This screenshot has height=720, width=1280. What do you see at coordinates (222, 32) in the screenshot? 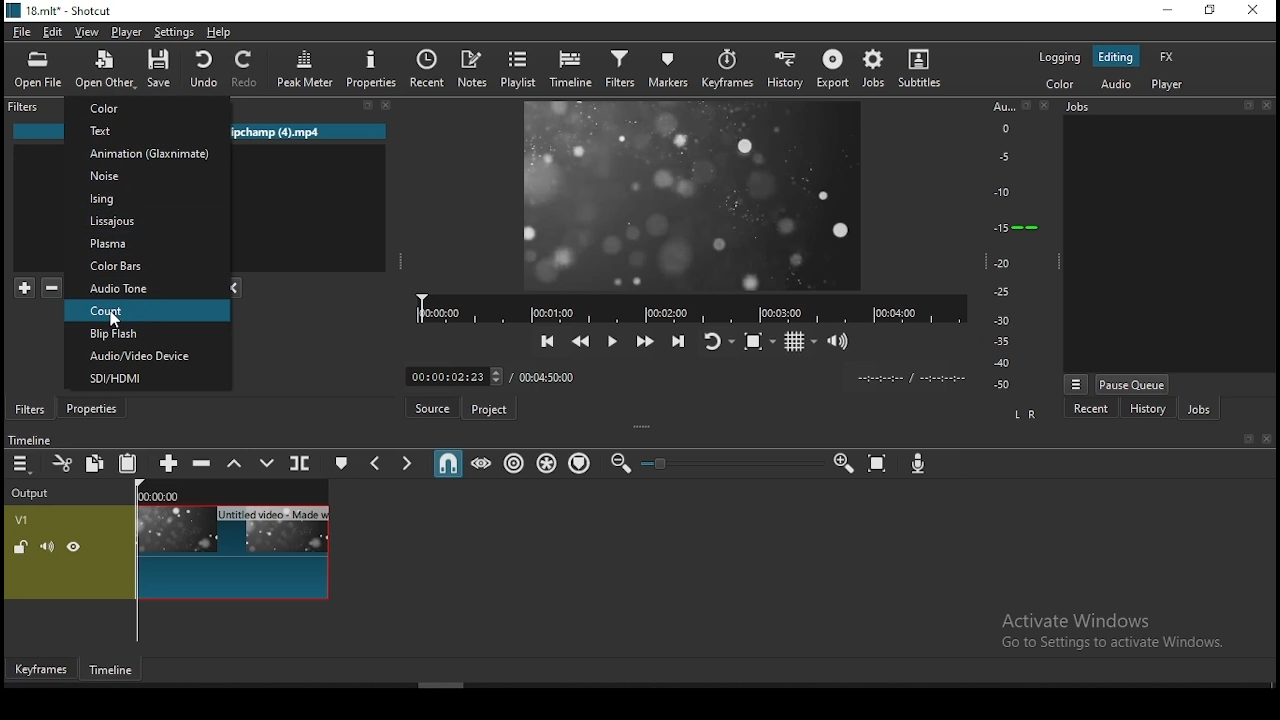
I see `help` at bounding box center [222, 32].